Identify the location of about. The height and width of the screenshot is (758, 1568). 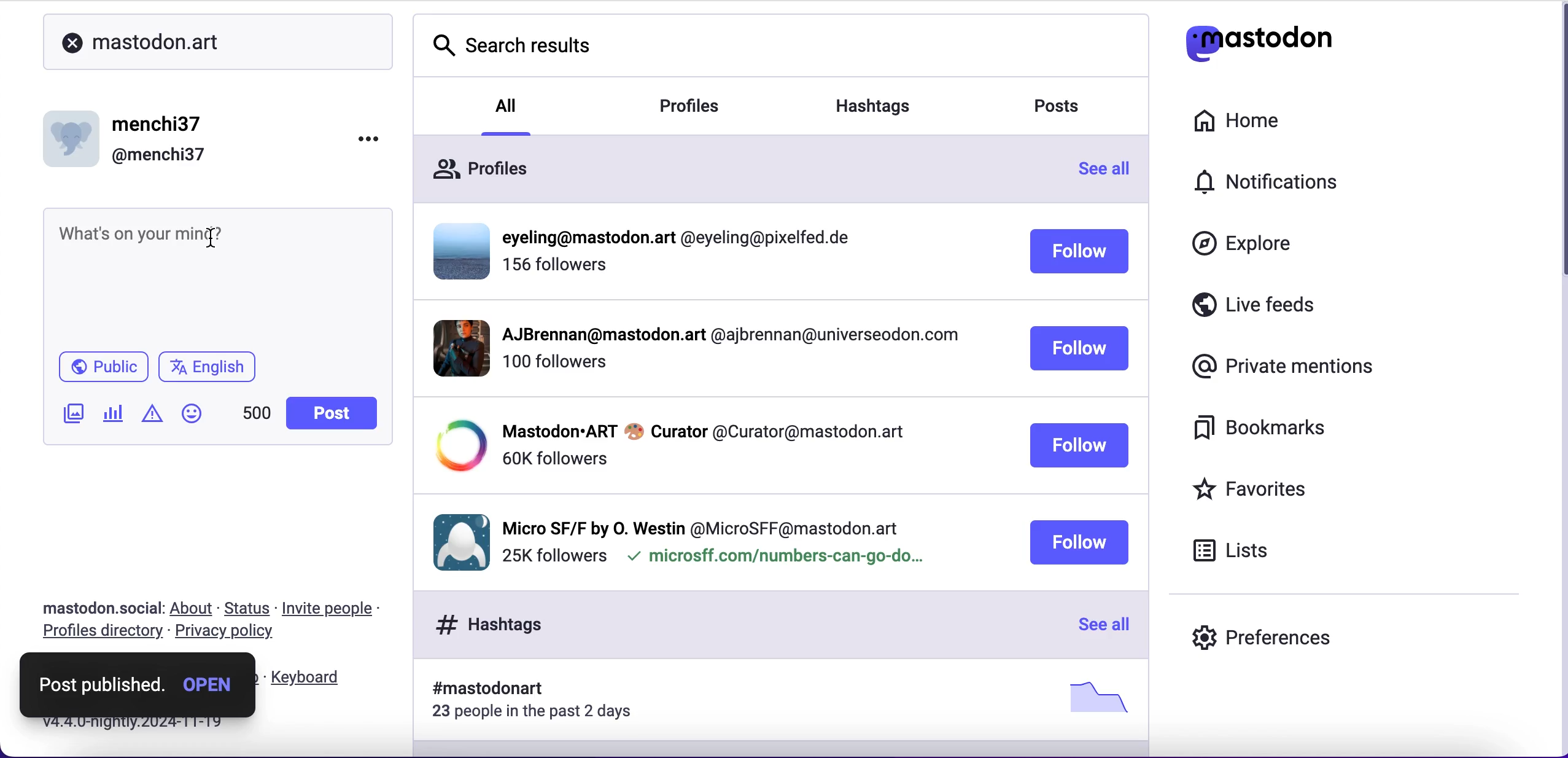
(194, 609).